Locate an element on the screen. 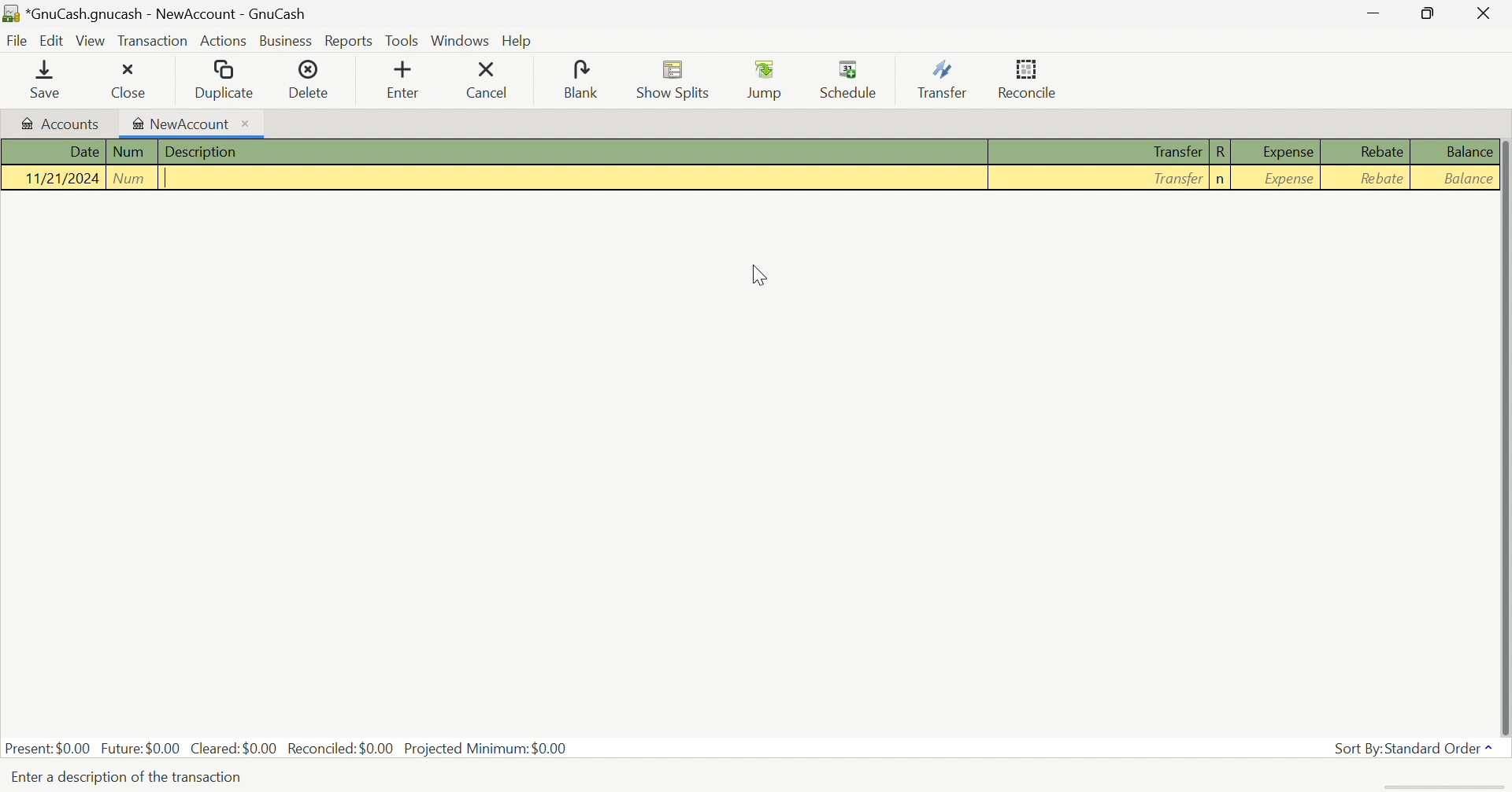 The image size is (1512, 792). transfer is located at coordinates (1170, 178).